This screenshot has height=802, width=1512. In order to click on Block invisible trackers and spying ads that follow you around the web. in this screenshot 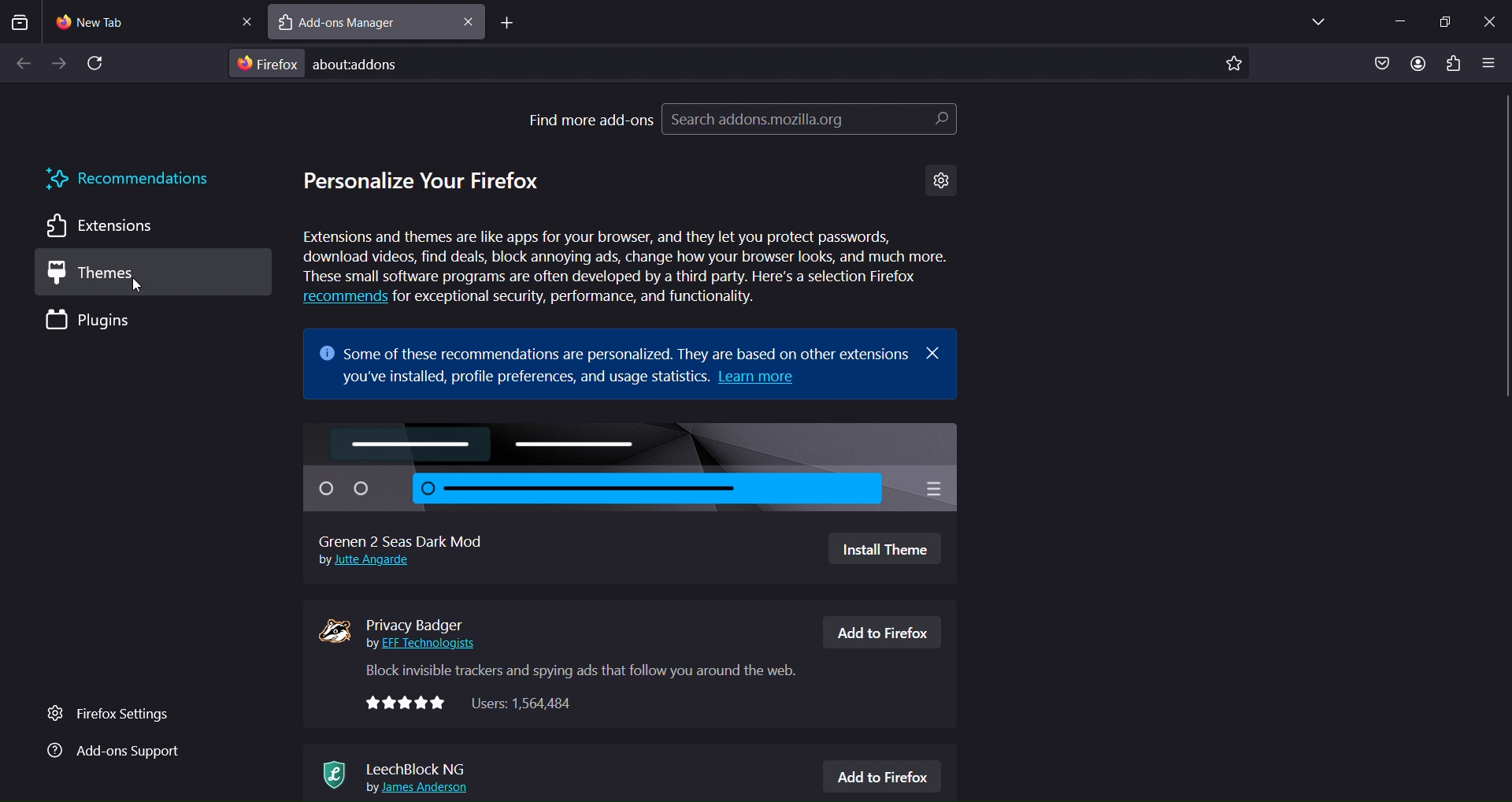, I will do `click(575, 672)`.